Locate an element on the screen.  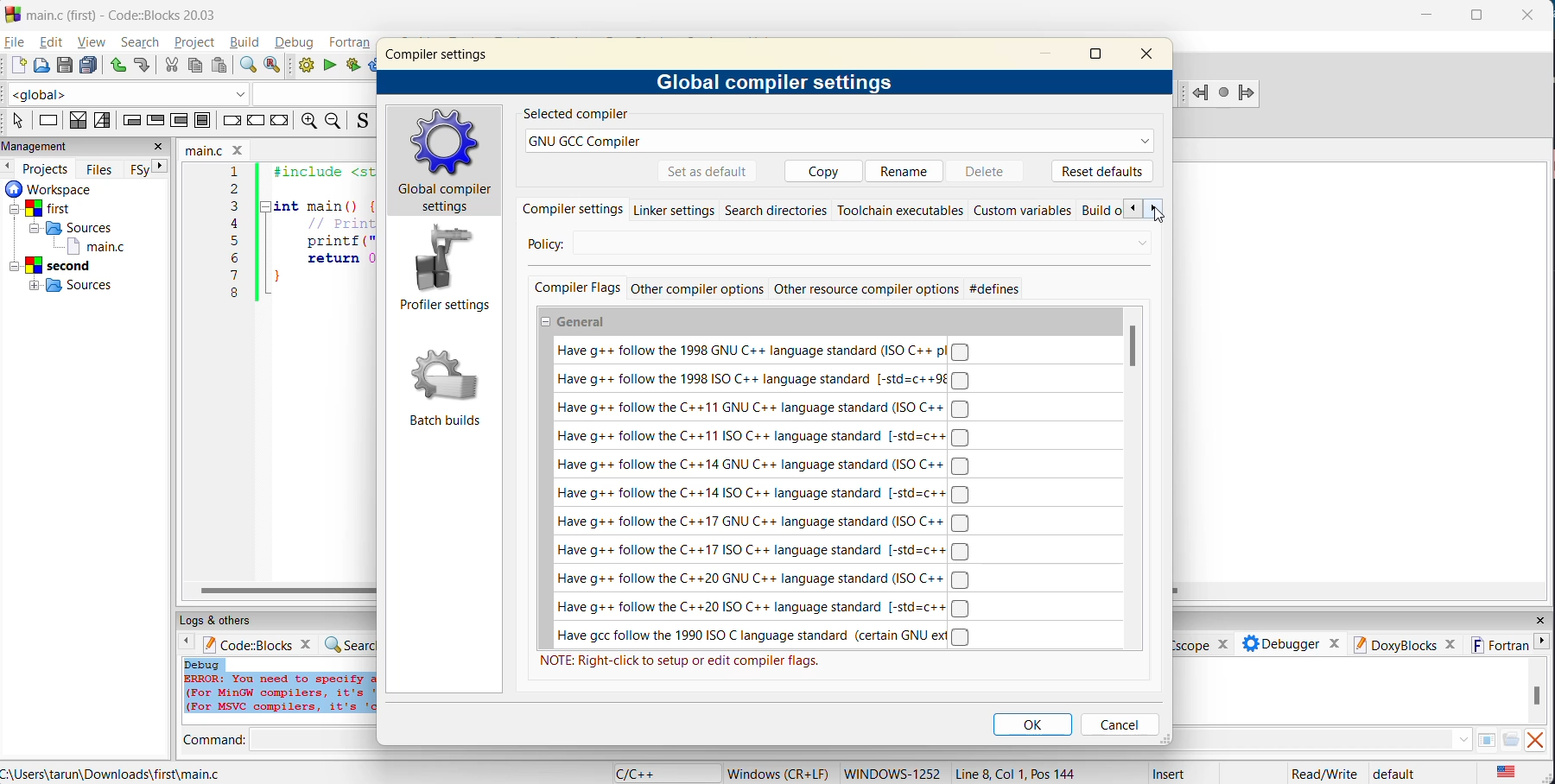
rename is located at coordinates (906, 172).